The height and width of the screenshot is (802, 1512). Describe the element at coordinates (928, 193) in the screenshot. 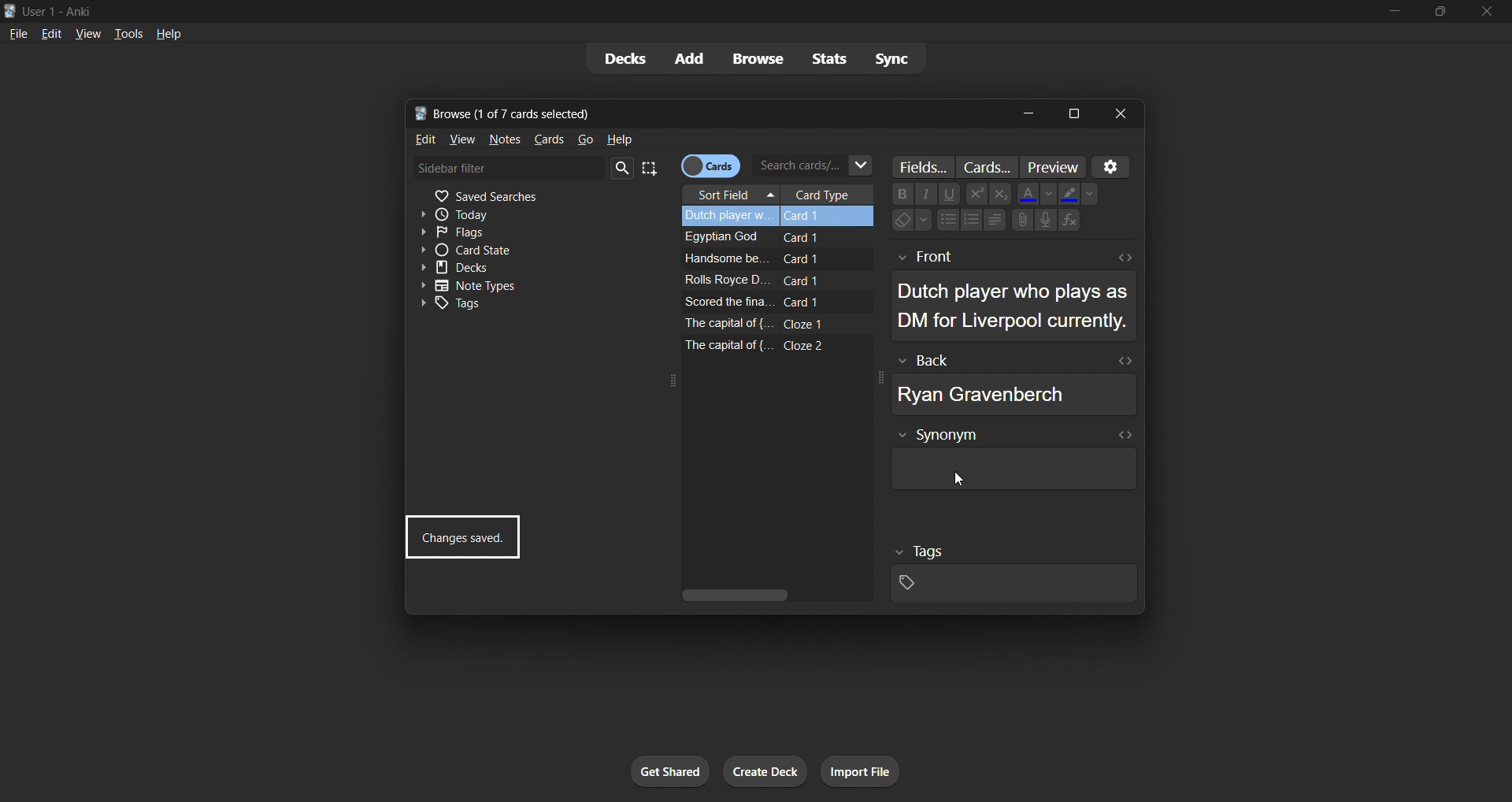

I see `Font` at that location.